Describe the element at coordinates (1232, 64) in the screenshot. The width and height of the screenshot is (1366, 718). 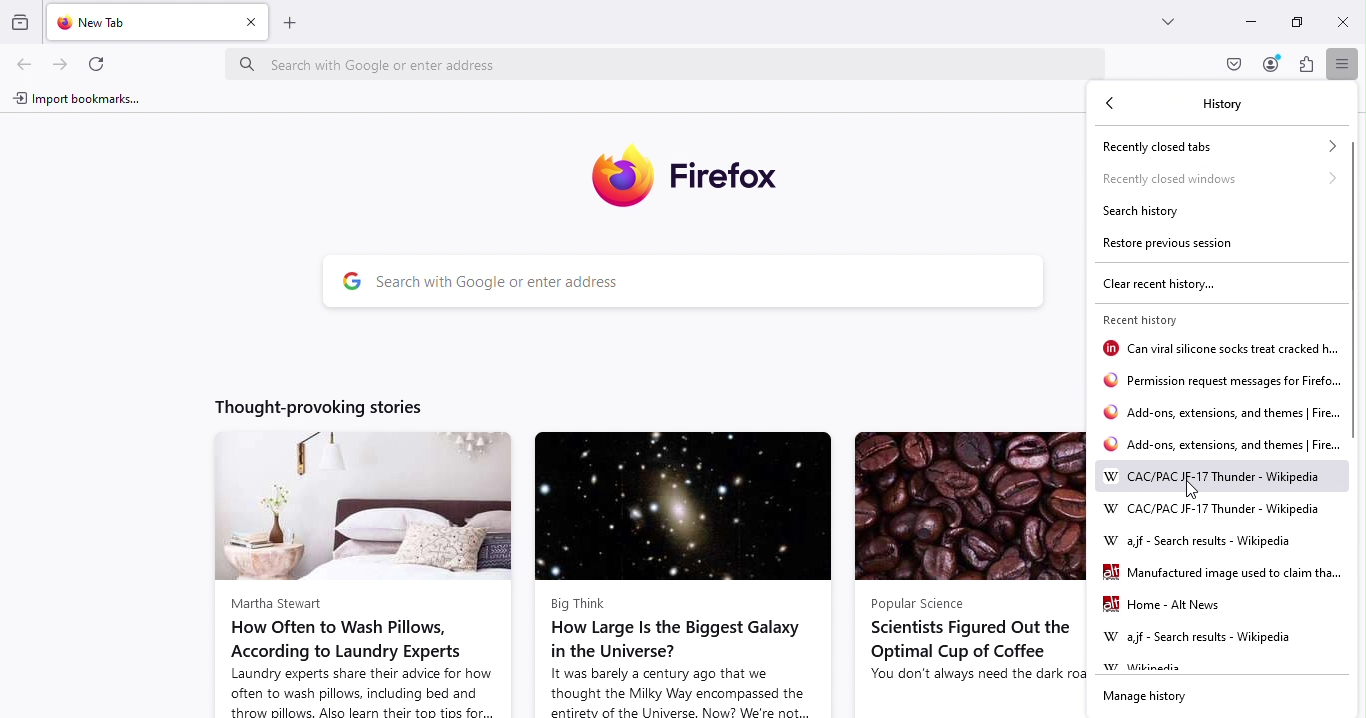
I see `Save to pocket` at that location.